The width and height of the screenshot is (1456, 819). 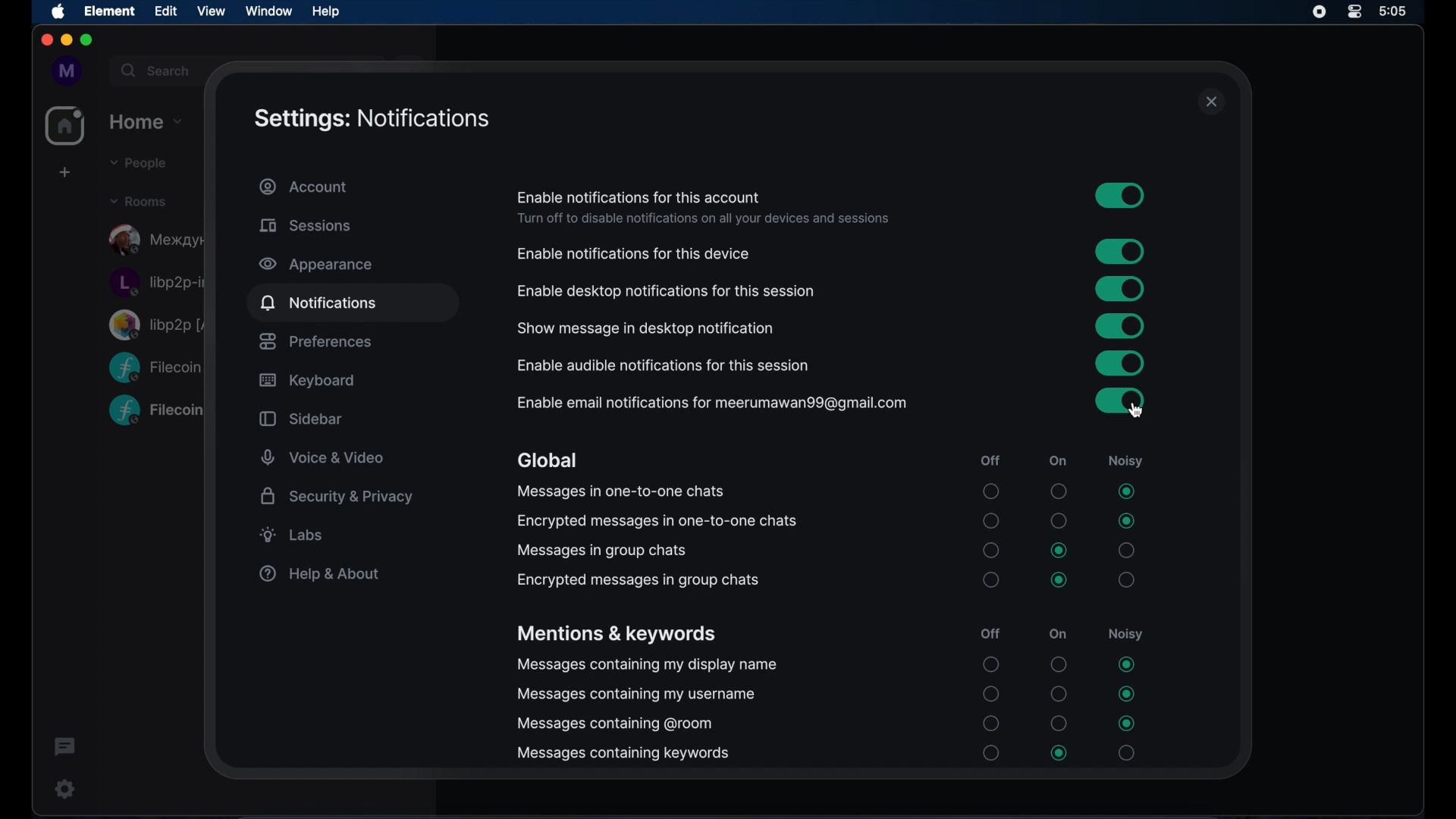 What do you see at coordinates (318, 302) in the screenshot?
I see `notifications` at bounding box center [318, 302].